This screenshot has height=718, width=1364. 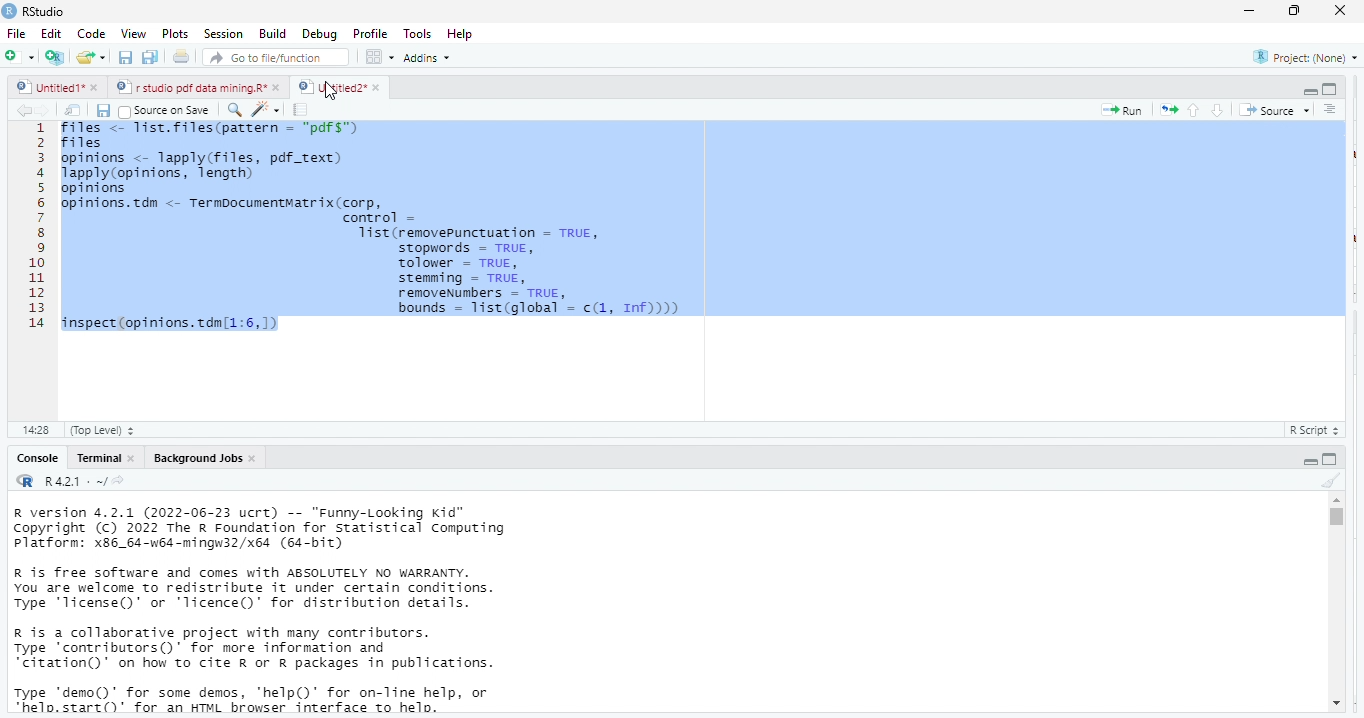 What do you see at coordinates (168, 110) in the screenshot?
I see `source on save` at bounding box center [168, 110].